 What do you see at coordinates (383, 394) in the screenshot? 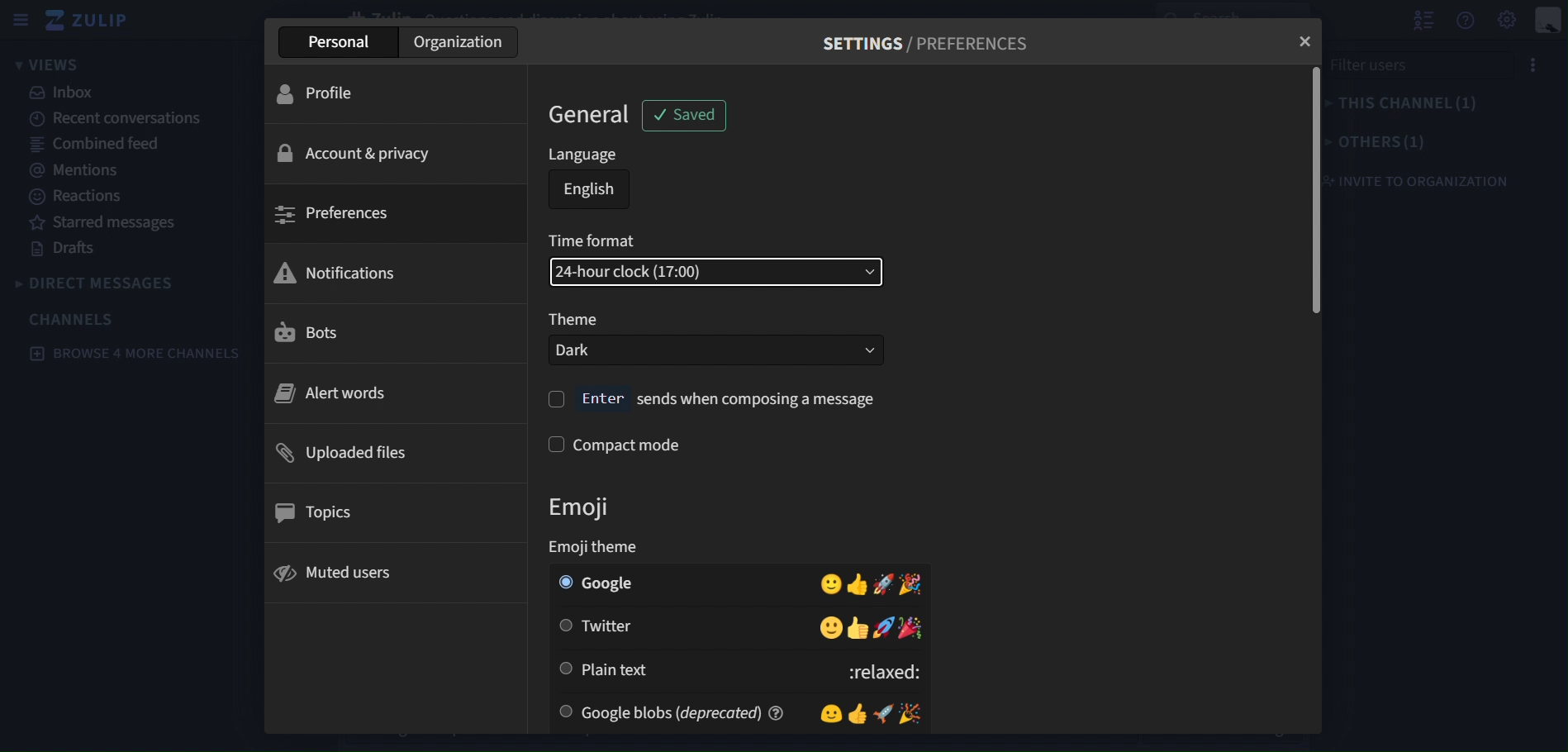
I see `alert words` at bounding box center [383, 394].